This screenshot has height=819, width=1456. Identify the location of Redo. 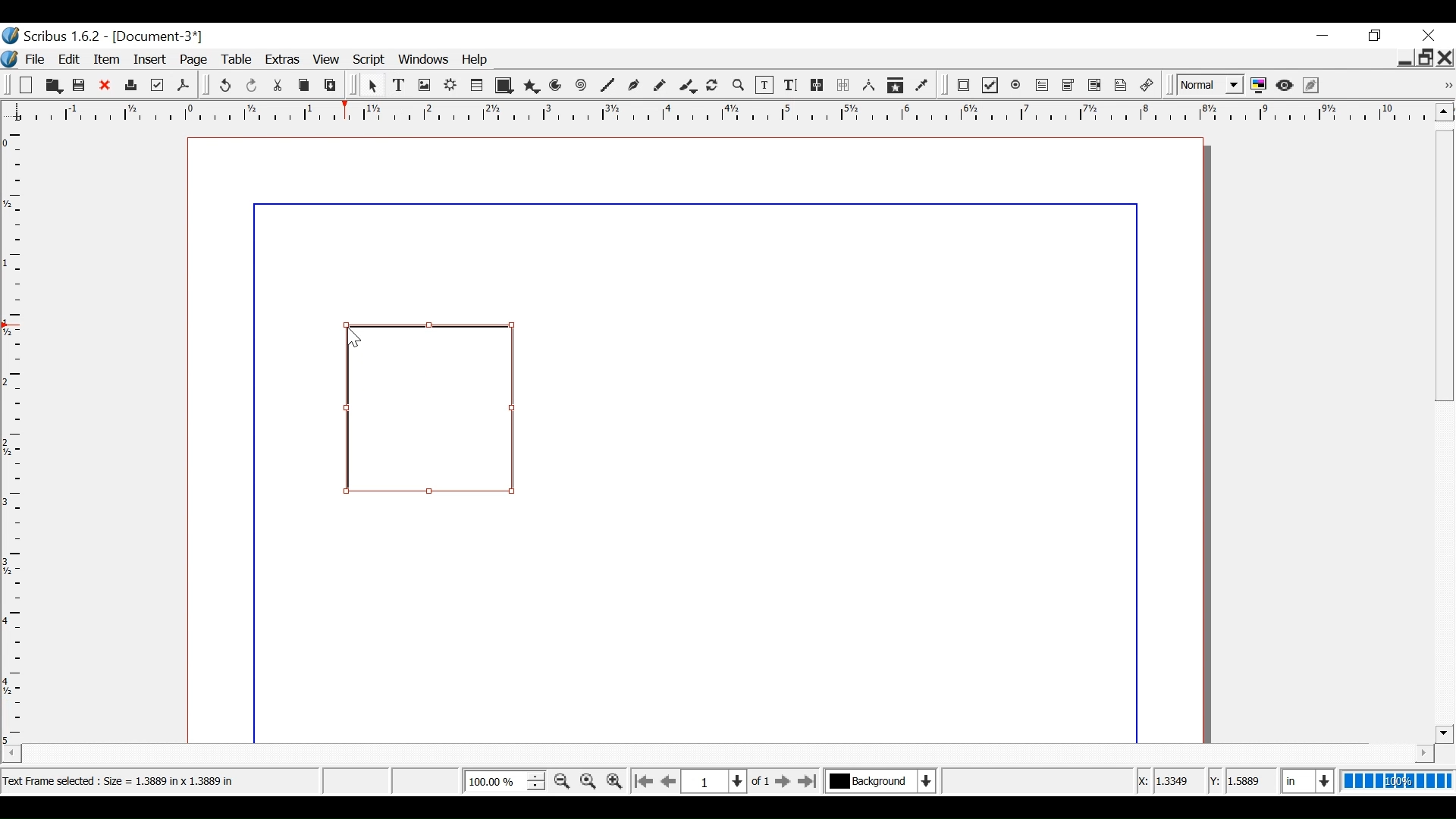
(253, 84).